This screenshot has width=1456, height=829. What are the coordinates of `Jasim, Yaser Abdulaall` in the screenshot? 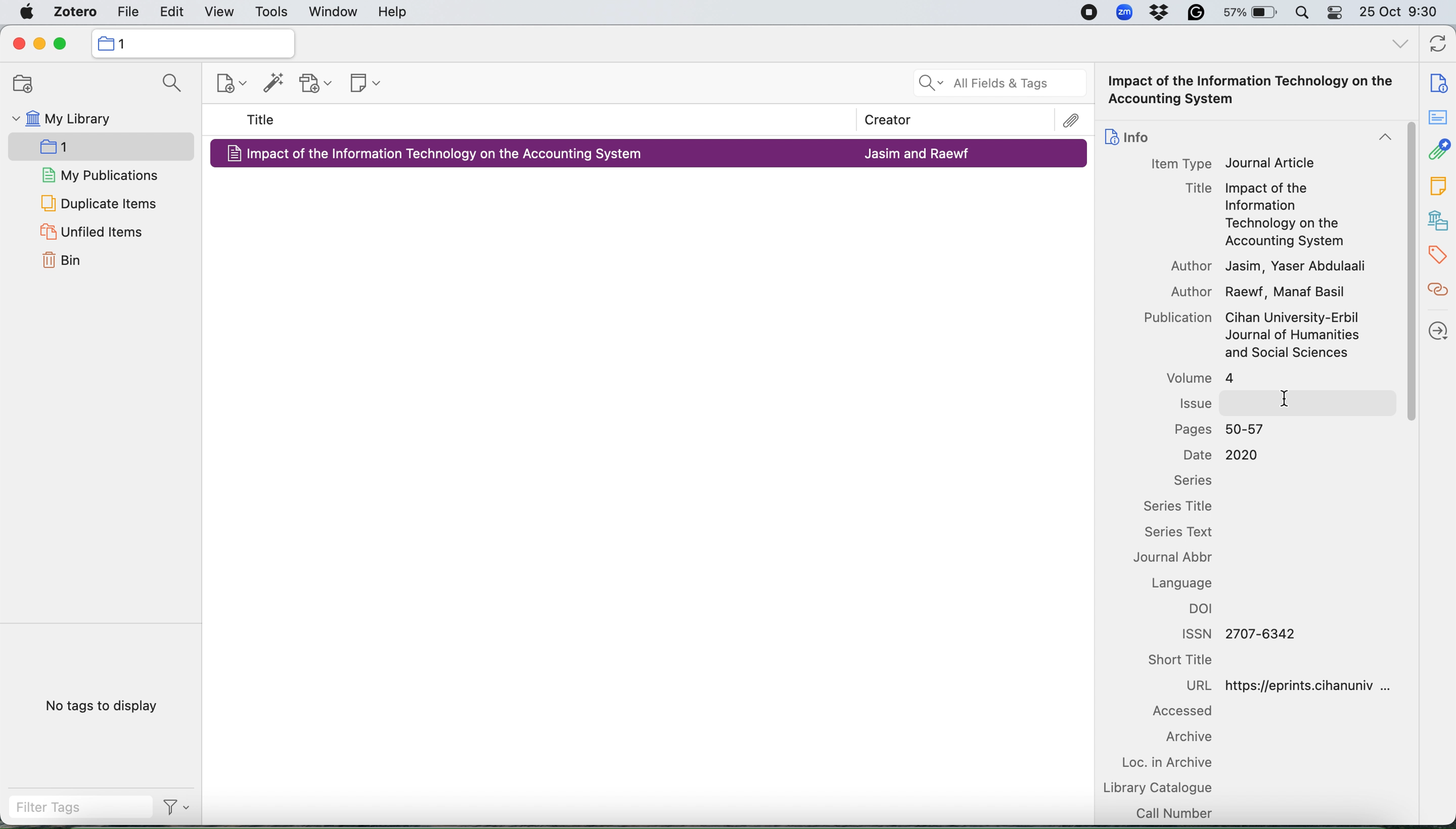 It's located at (1295, 266).